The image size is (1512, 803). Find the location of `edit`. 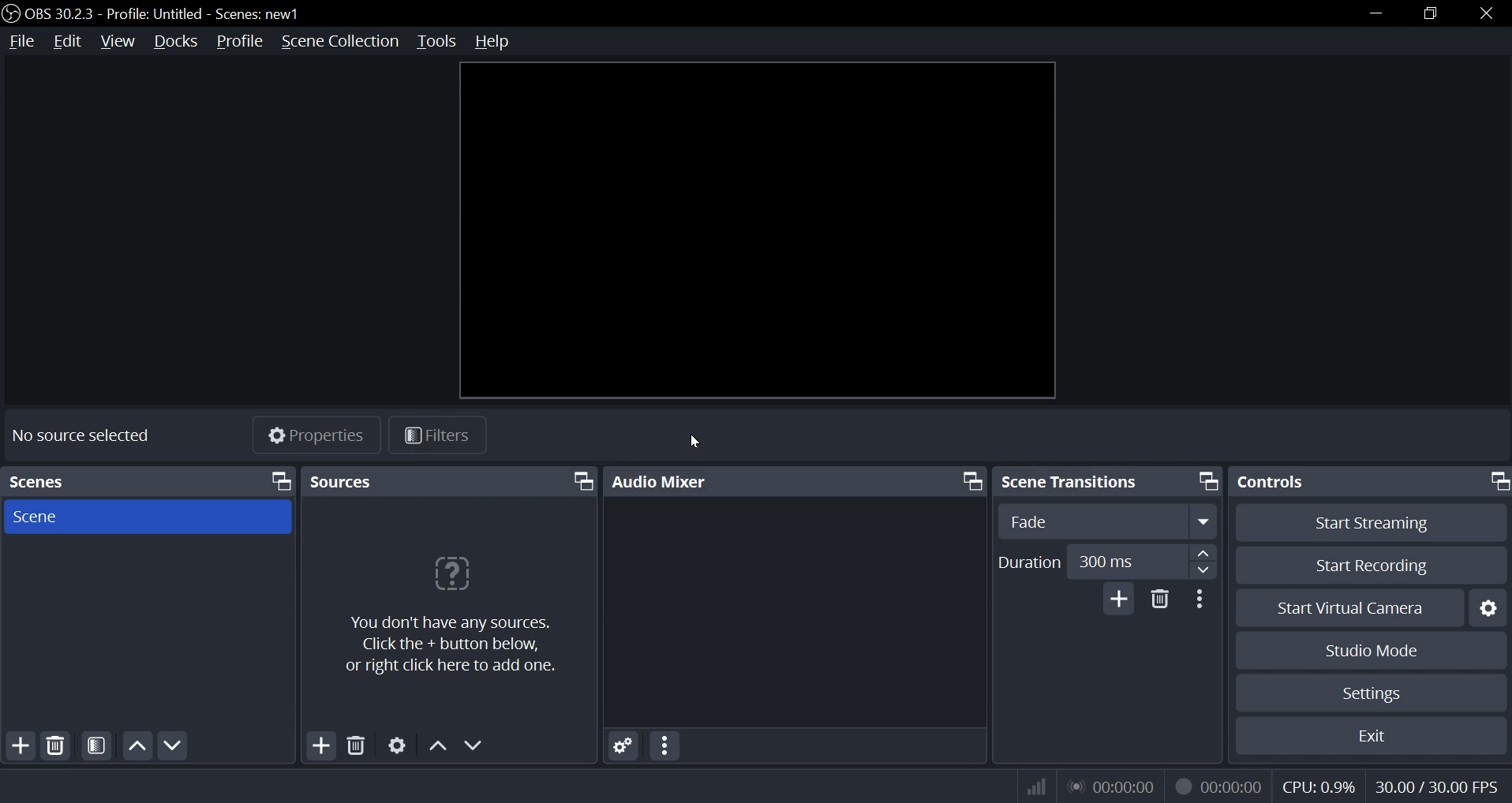

edit is located at coordinates (67, 42).